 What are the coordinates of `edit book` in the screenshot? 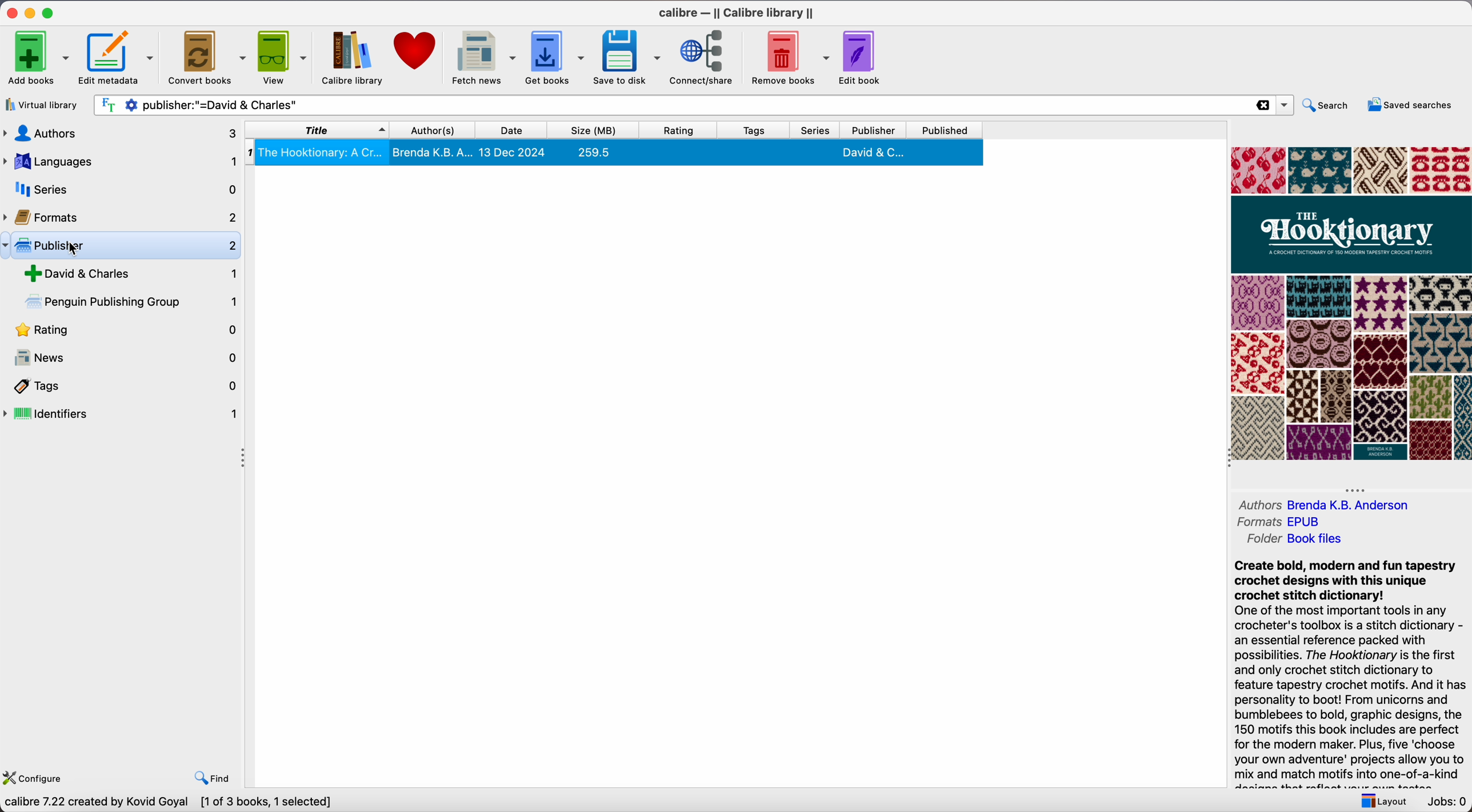 It's located at (864, 57).